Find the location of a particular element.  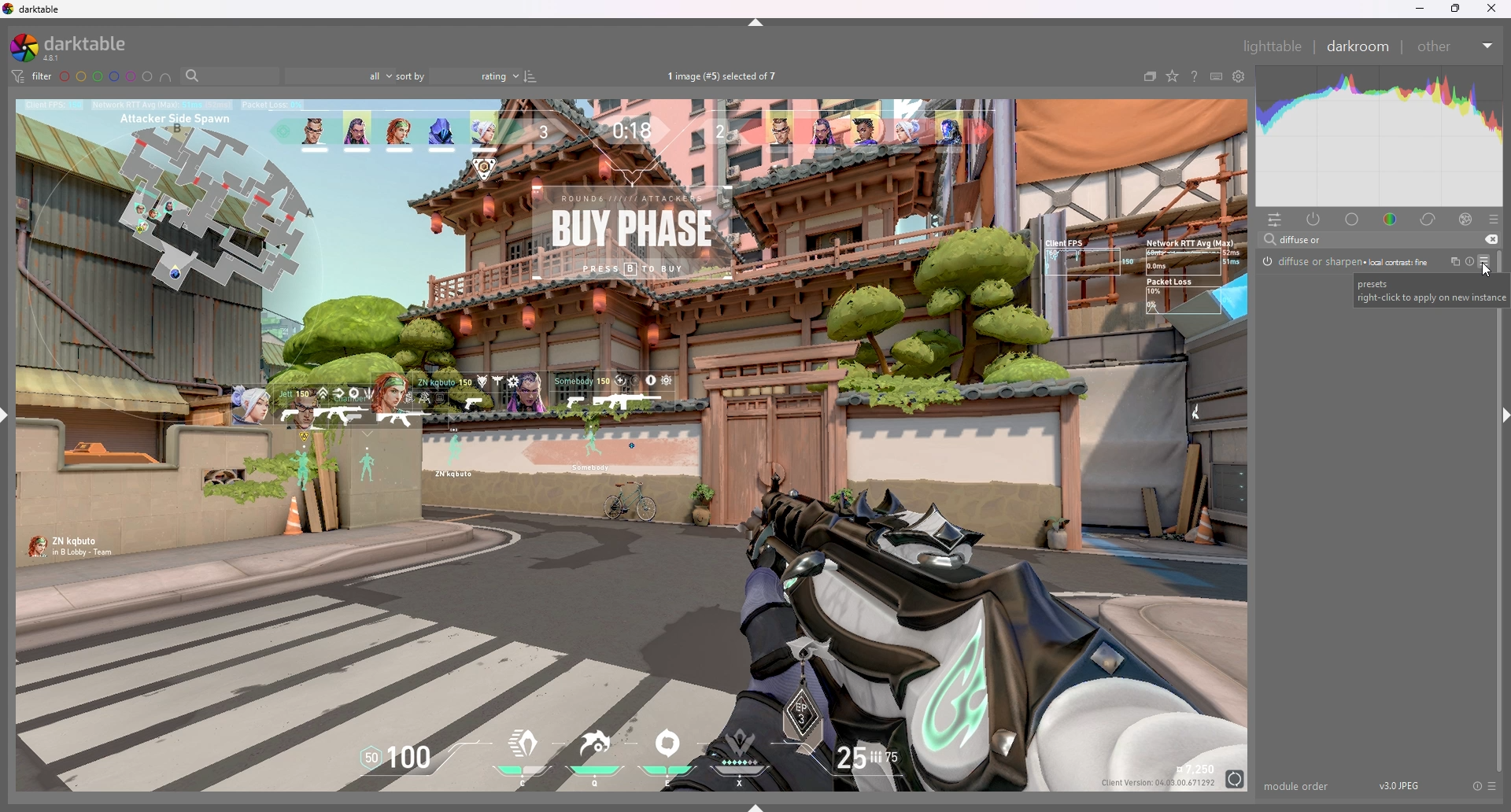

show active modules is located at coordinates (1314, 219).